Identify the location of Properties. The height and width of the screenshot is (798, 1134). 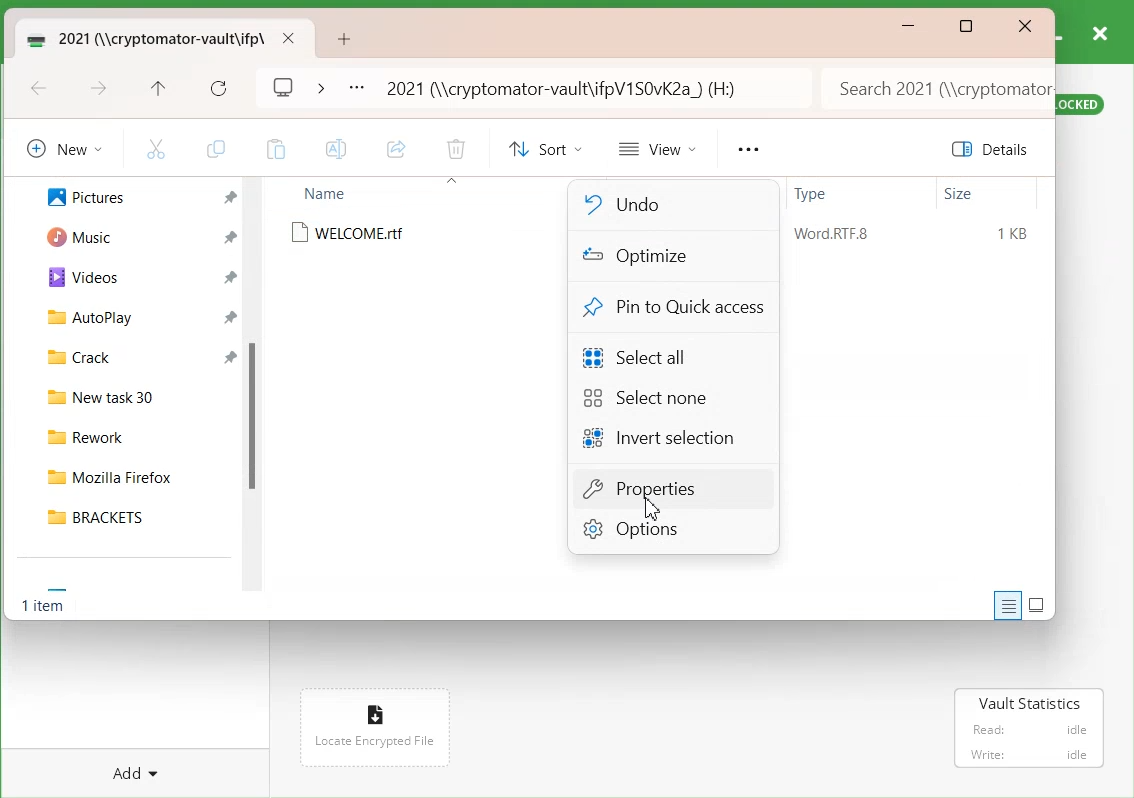
(673, 490).